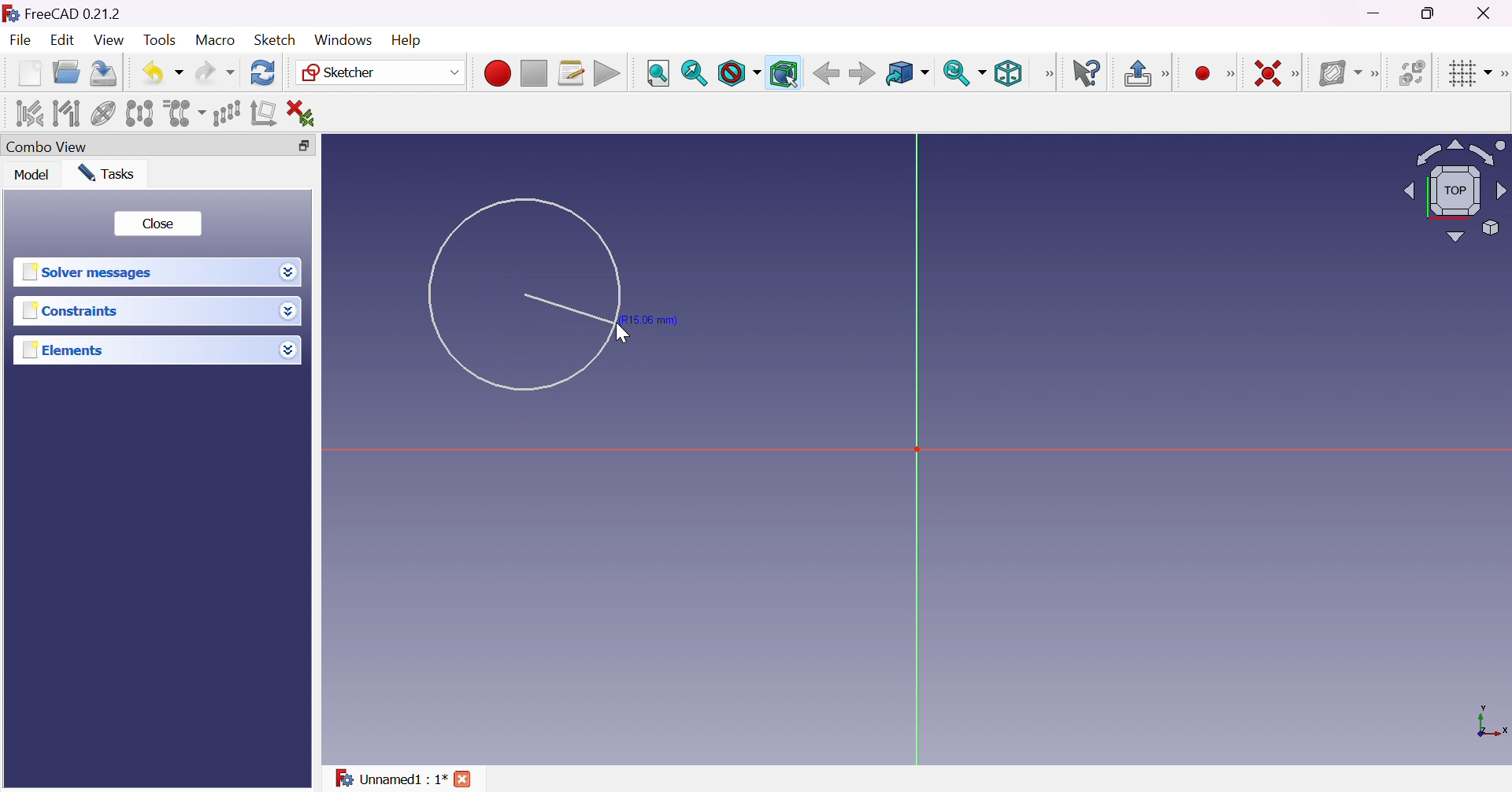 The image size is (1512, 792). I want to click on Drop down, so click(289, 272).